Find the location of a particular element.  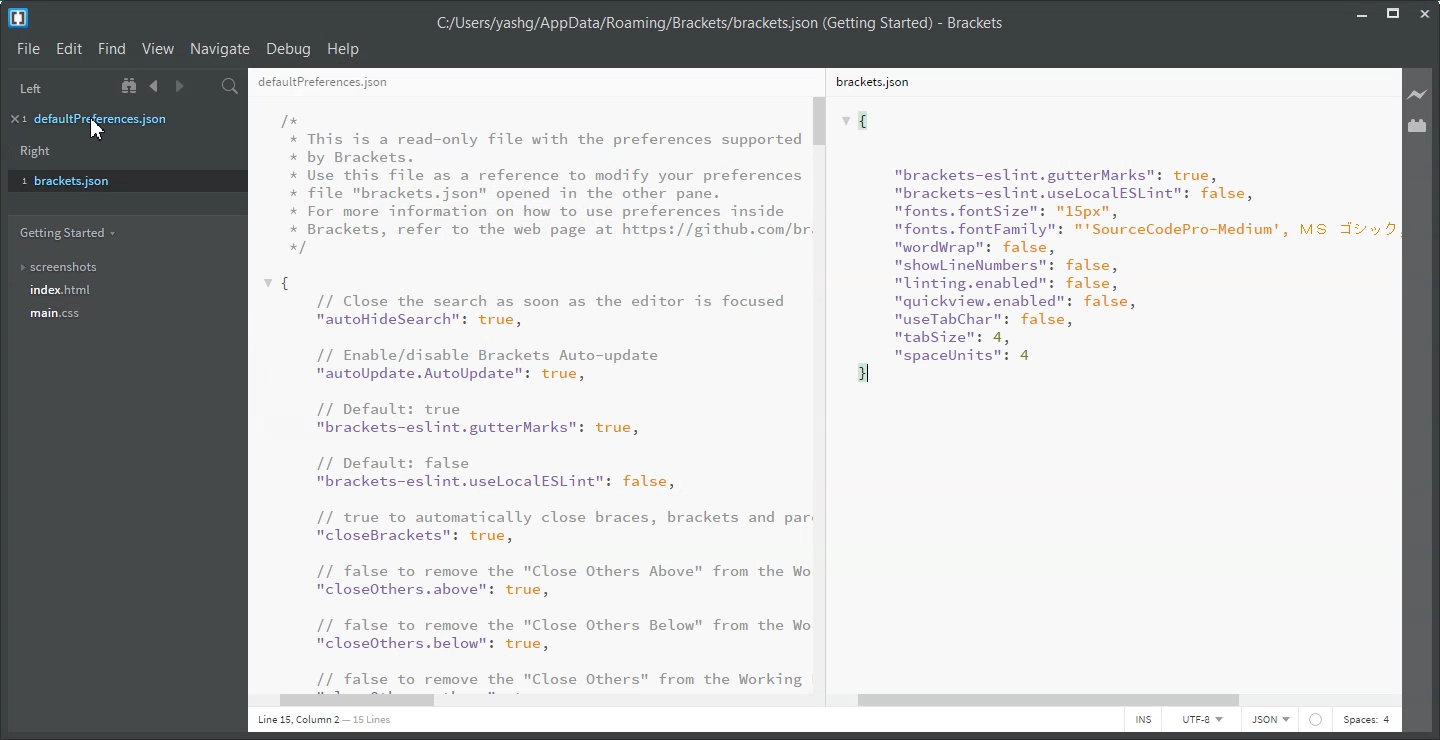

Text is located at coordinates (526, 393).